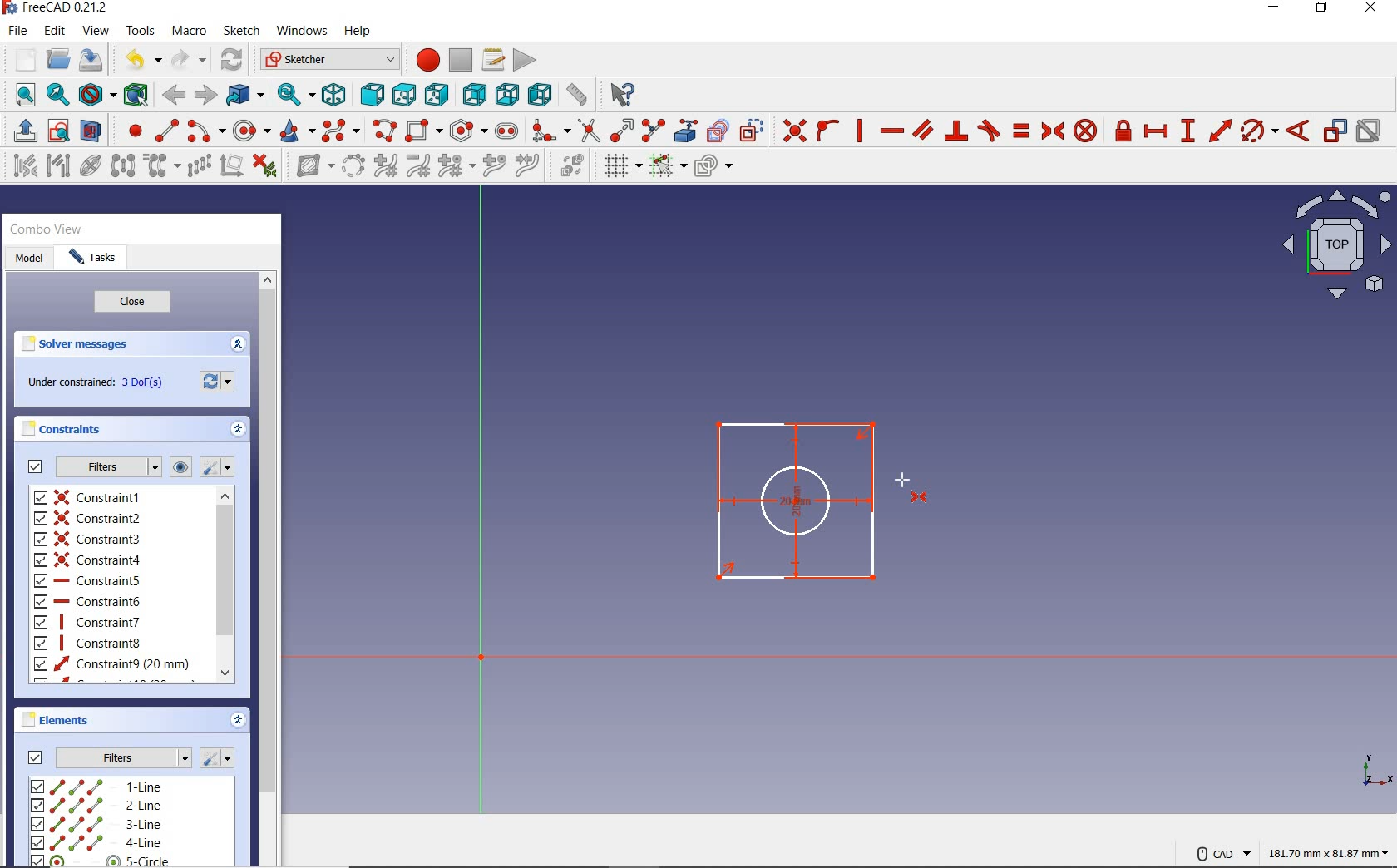  I want to click on create sketch, so click(57, 129).